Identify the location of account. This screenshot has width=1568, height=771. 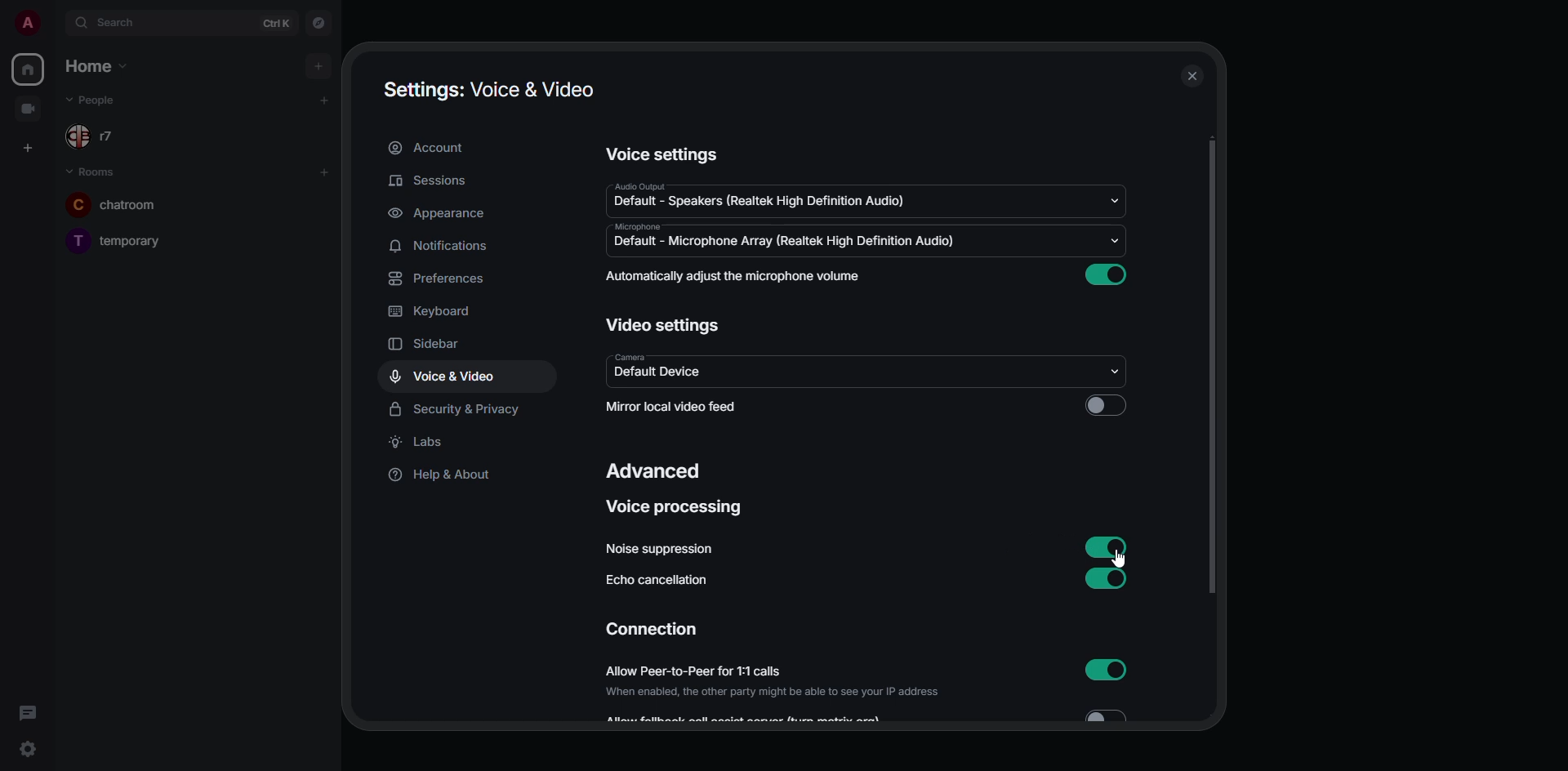
(434, 148).